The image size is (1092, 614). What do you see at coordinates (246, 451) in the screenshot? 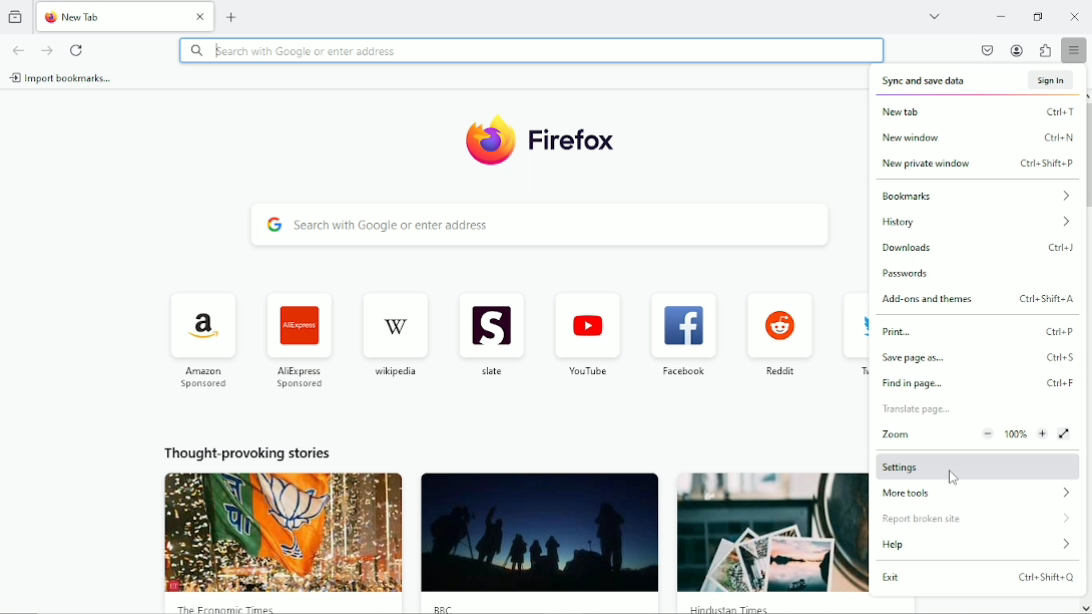
I see `Thought provoking stories` at bounding box center [246, 451].